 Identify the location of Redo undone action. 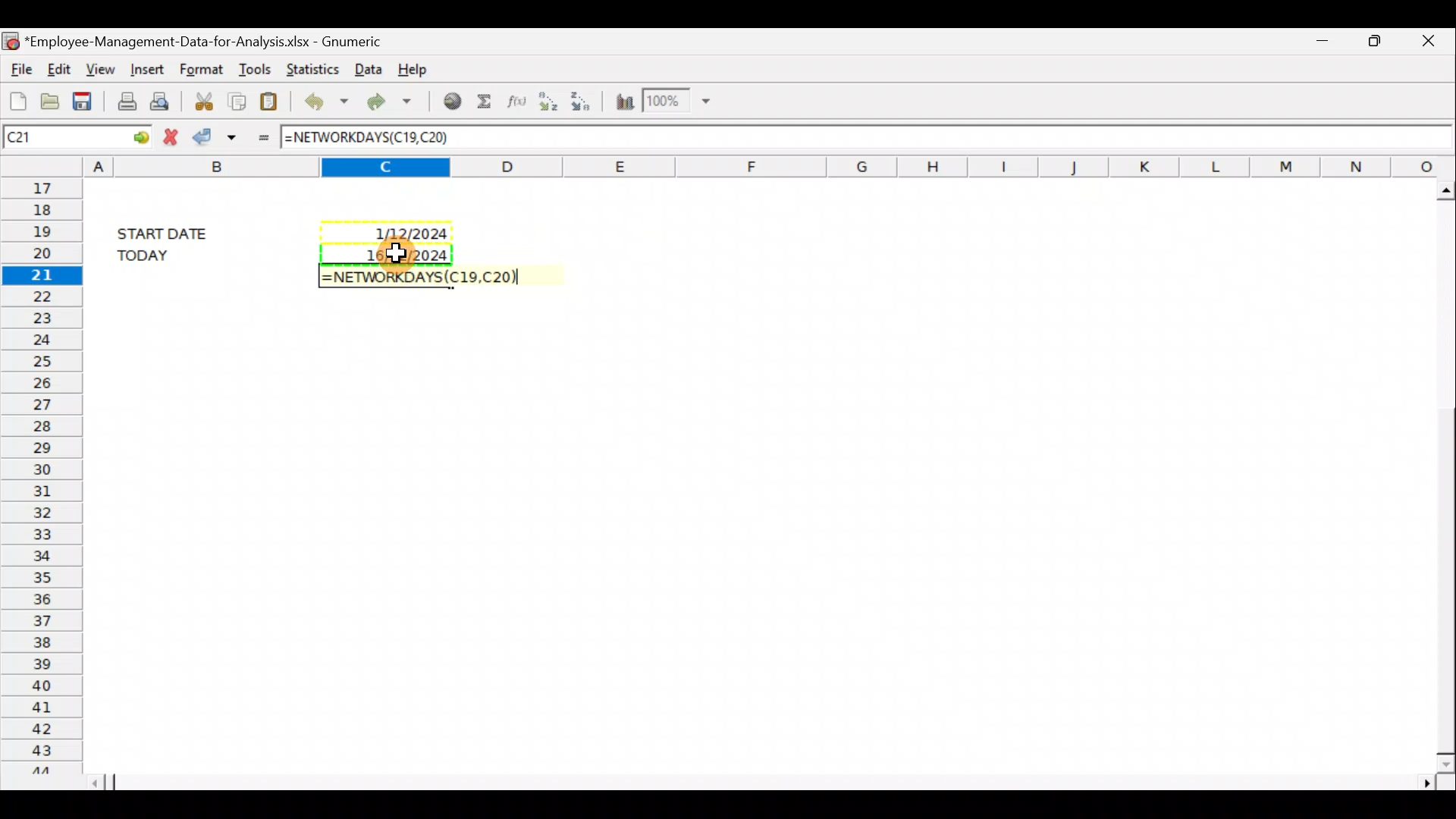
(386, 101).